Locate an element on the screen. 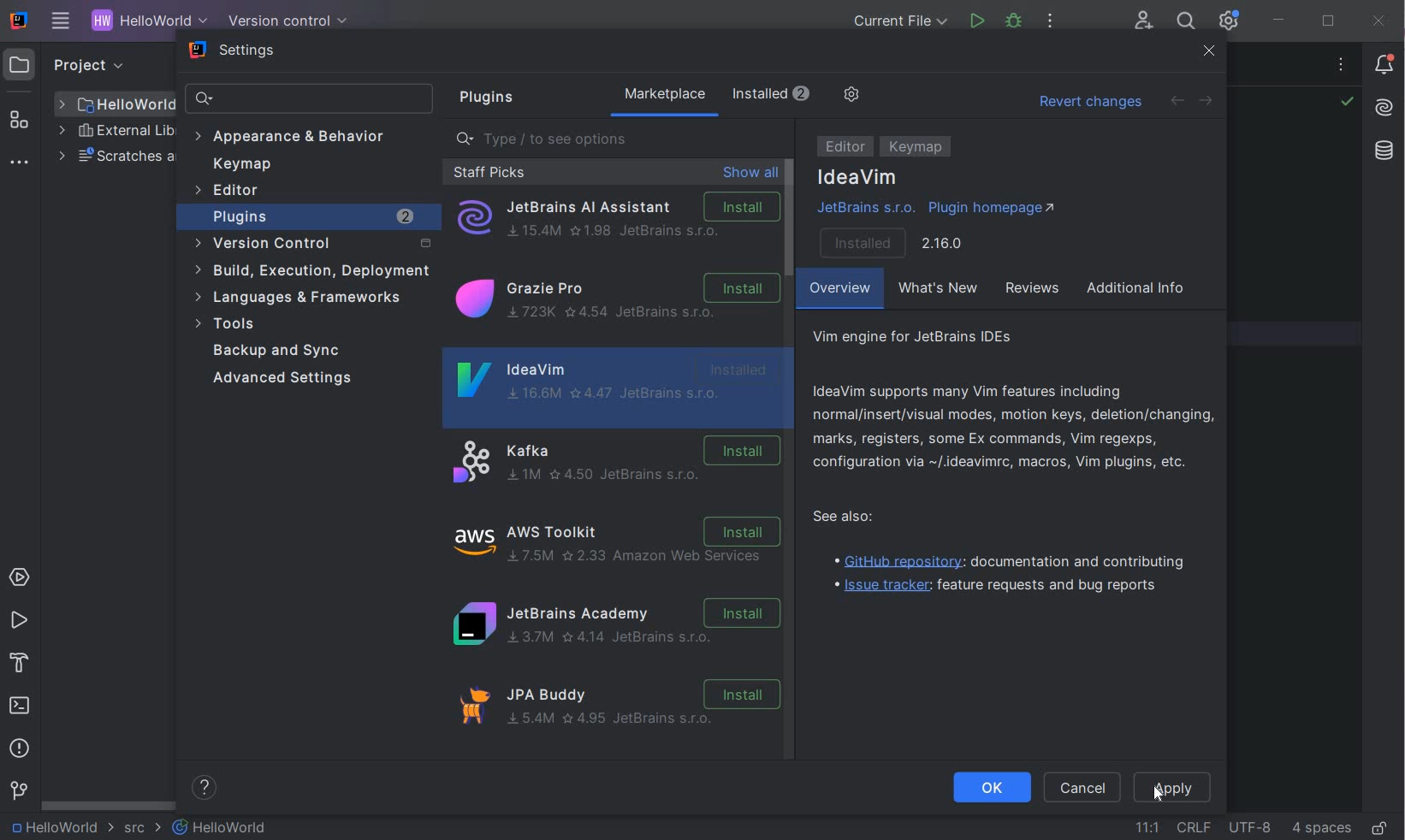 This screenshot has height=840, width=1405. additional info is located at coordinates (1144, 288).